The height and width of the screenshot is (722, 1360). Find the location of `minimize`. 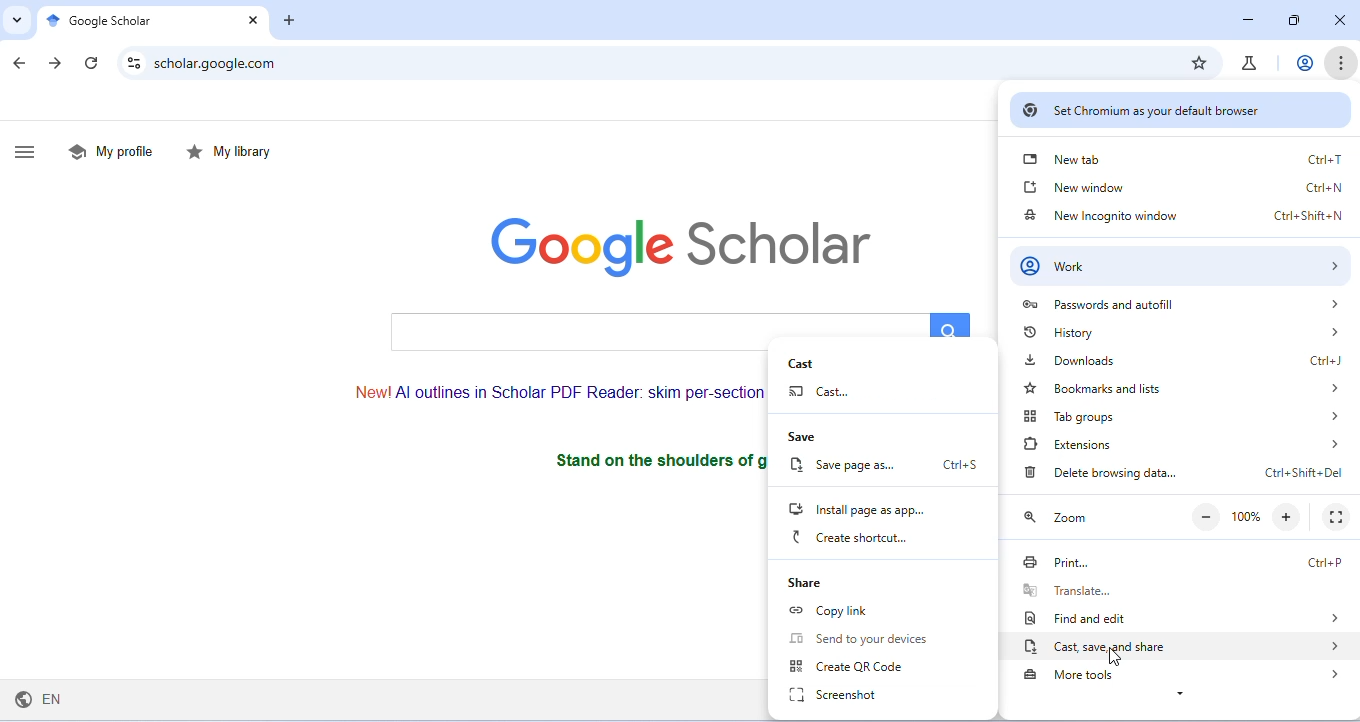

minimize is located at coordinates (1245, 19).